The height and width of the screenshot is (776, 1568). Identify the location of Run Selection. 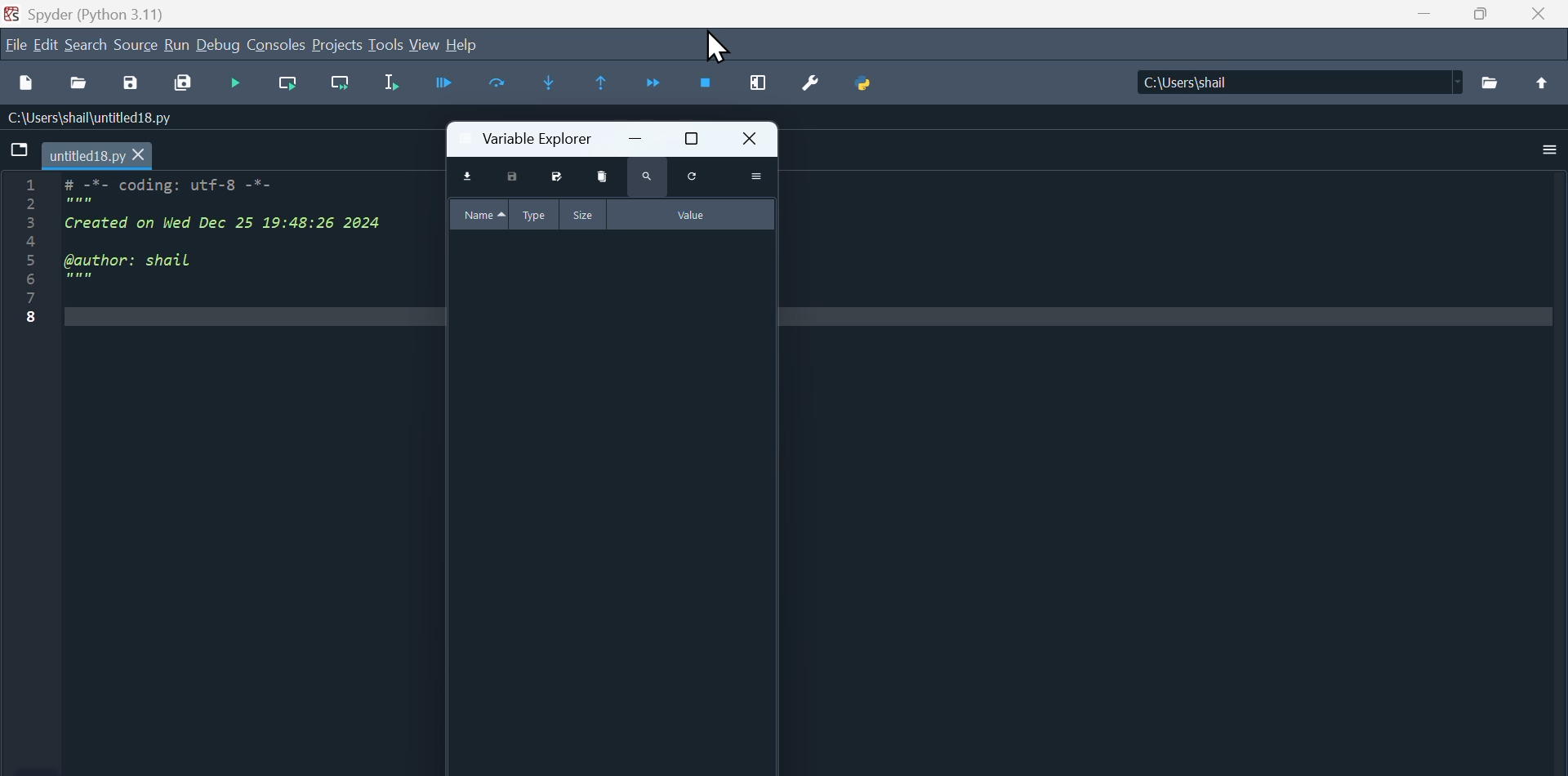
(400, 87).